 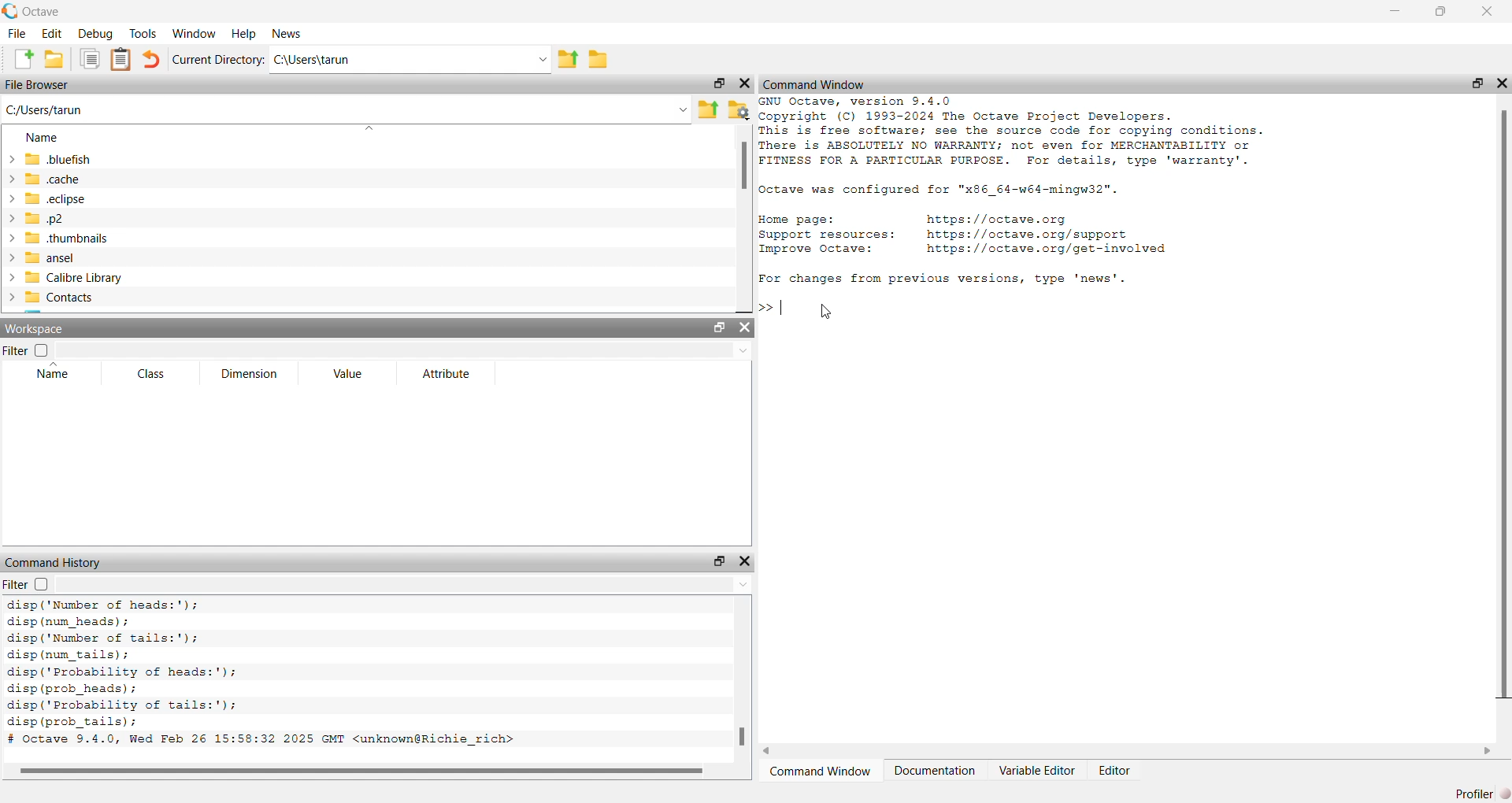 I want to click on Attribute, so click(x=444, y=375).